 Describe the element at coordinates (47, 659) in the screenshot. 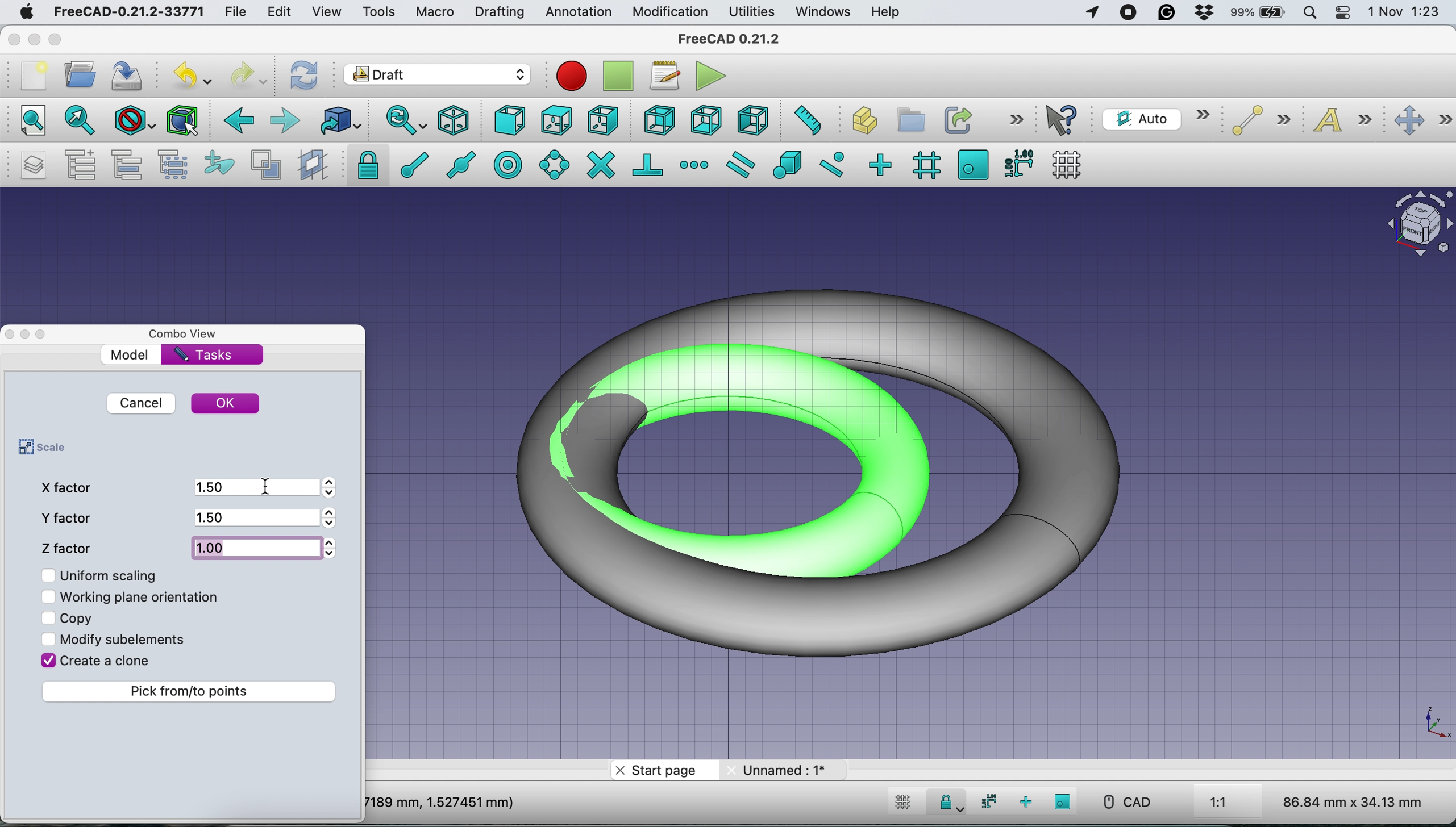

I see `Checkbox` at that location.